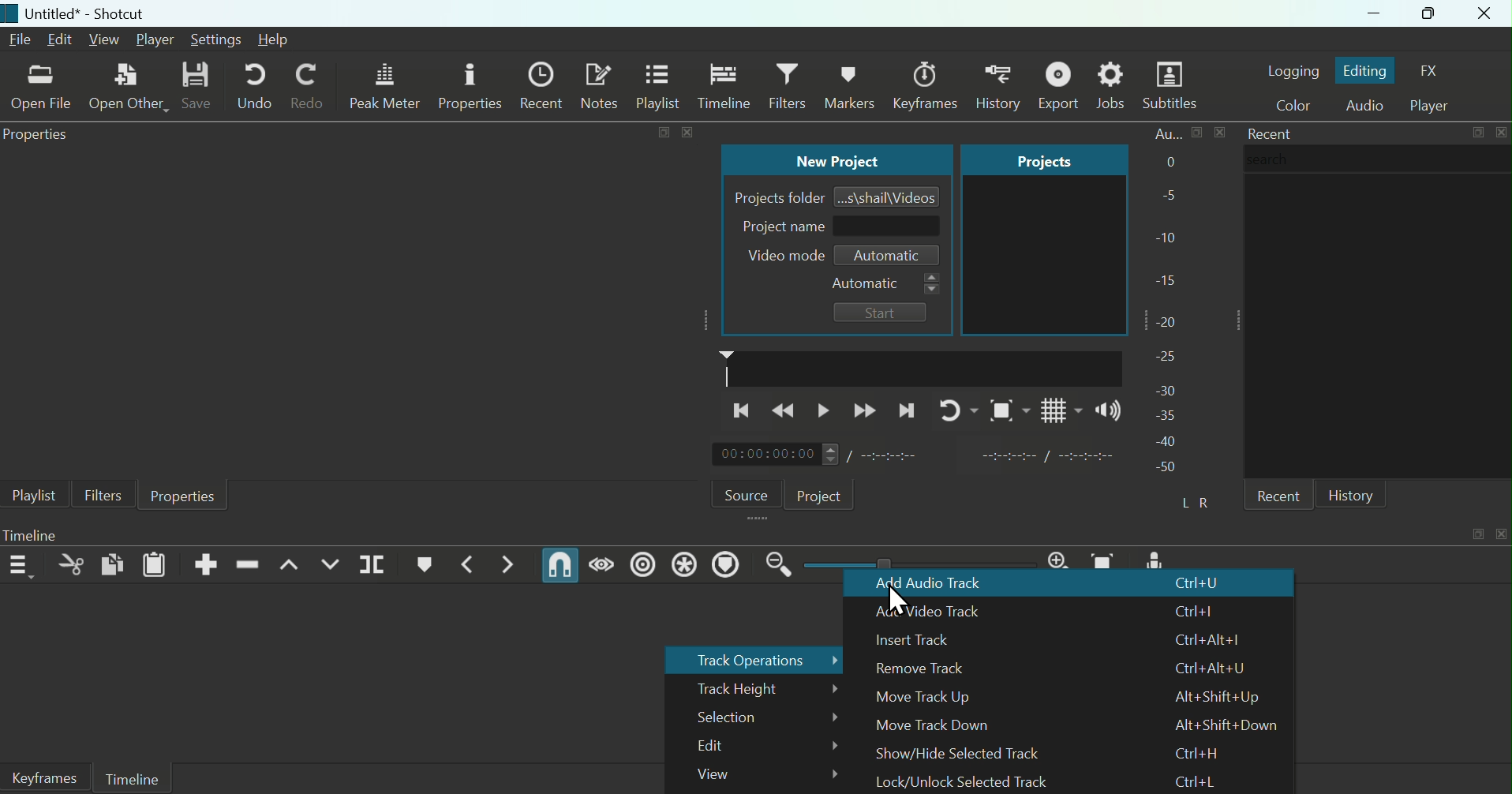  I want to click on Paste, so click(155, 566).